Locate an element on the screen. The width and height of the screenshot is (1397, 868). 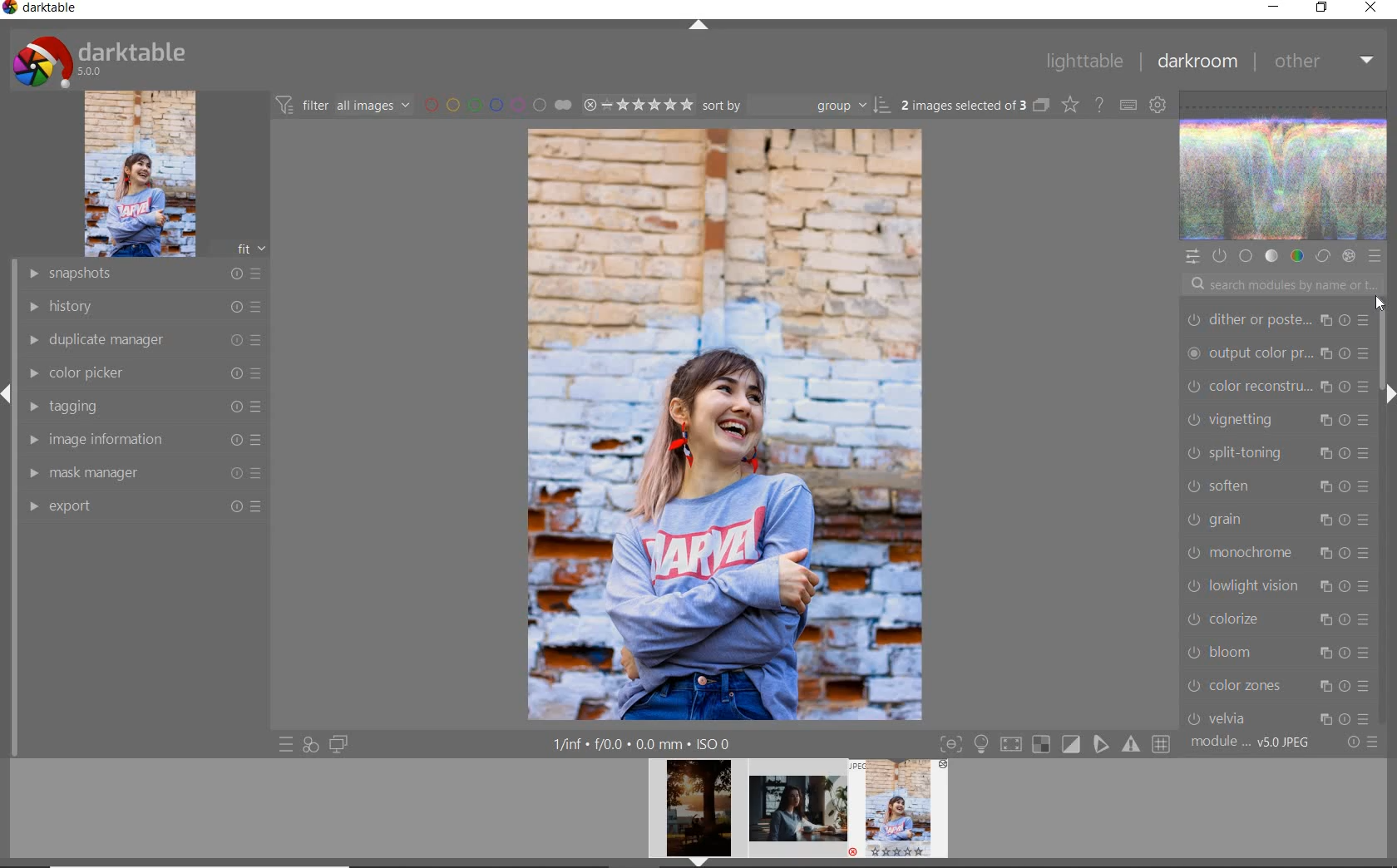
orientation is located at coordinates (1276, 584).